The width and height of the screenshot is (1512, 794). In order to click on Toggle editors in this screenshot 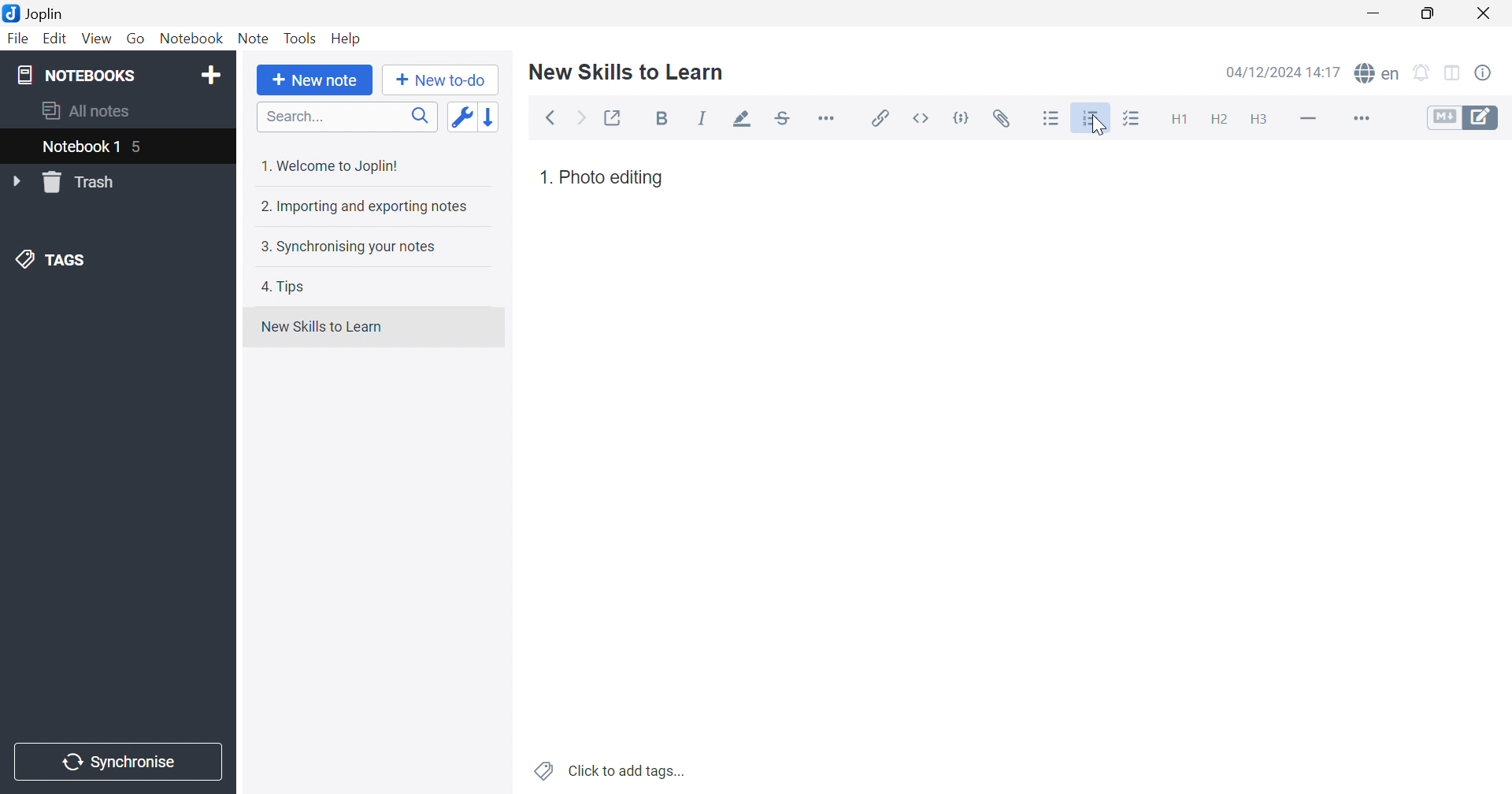, I will do `click(1463, 117)`.